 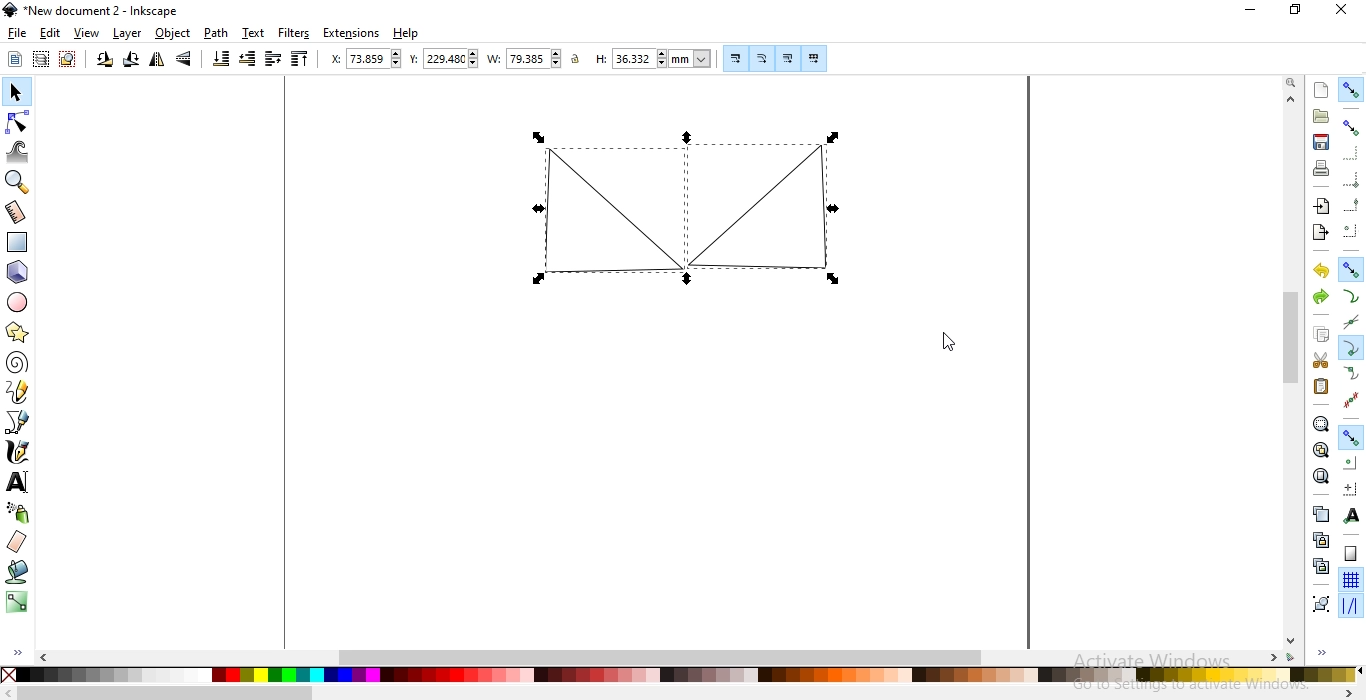 What do you see at coordinates (785, 58) in the screenshot?
I see `move gradients along with objects` at bounding box center [785, 58].